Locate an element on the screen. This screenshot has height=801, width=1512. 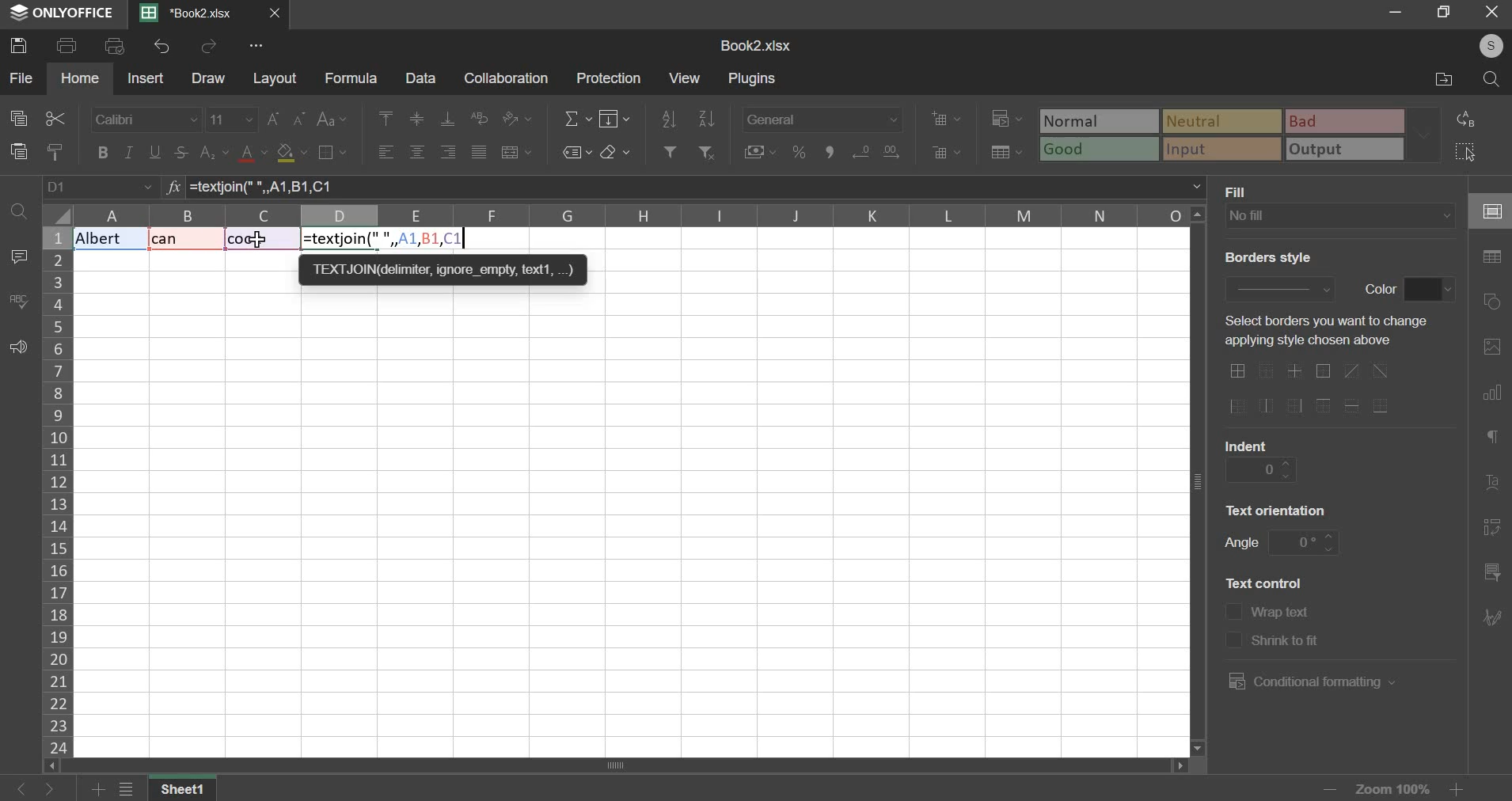
fill color is located at coordinates (291, 154).